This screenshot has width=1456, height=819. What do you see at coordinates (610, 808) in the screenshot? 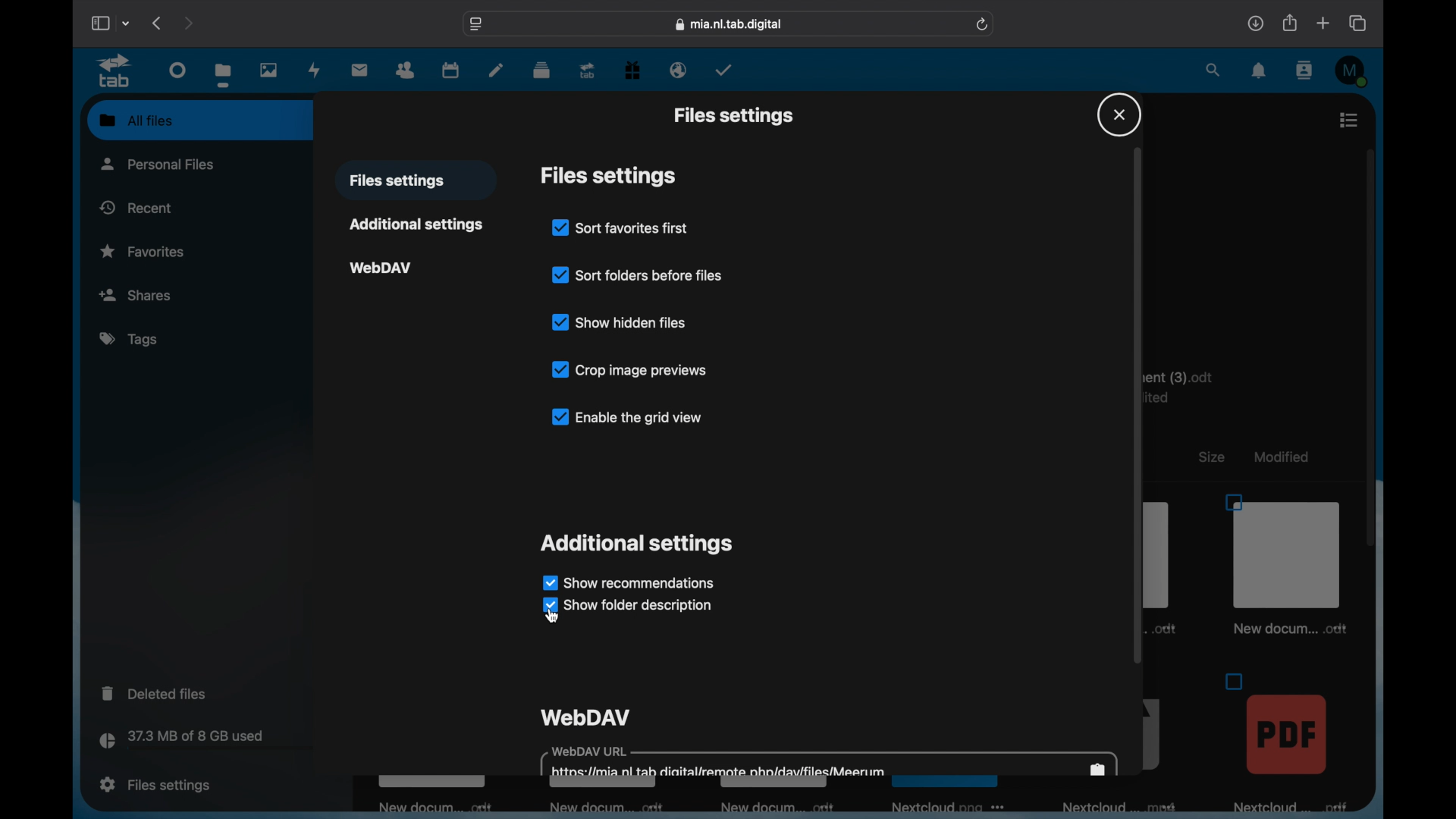
I see `new document` at bounding box center [610, 808].